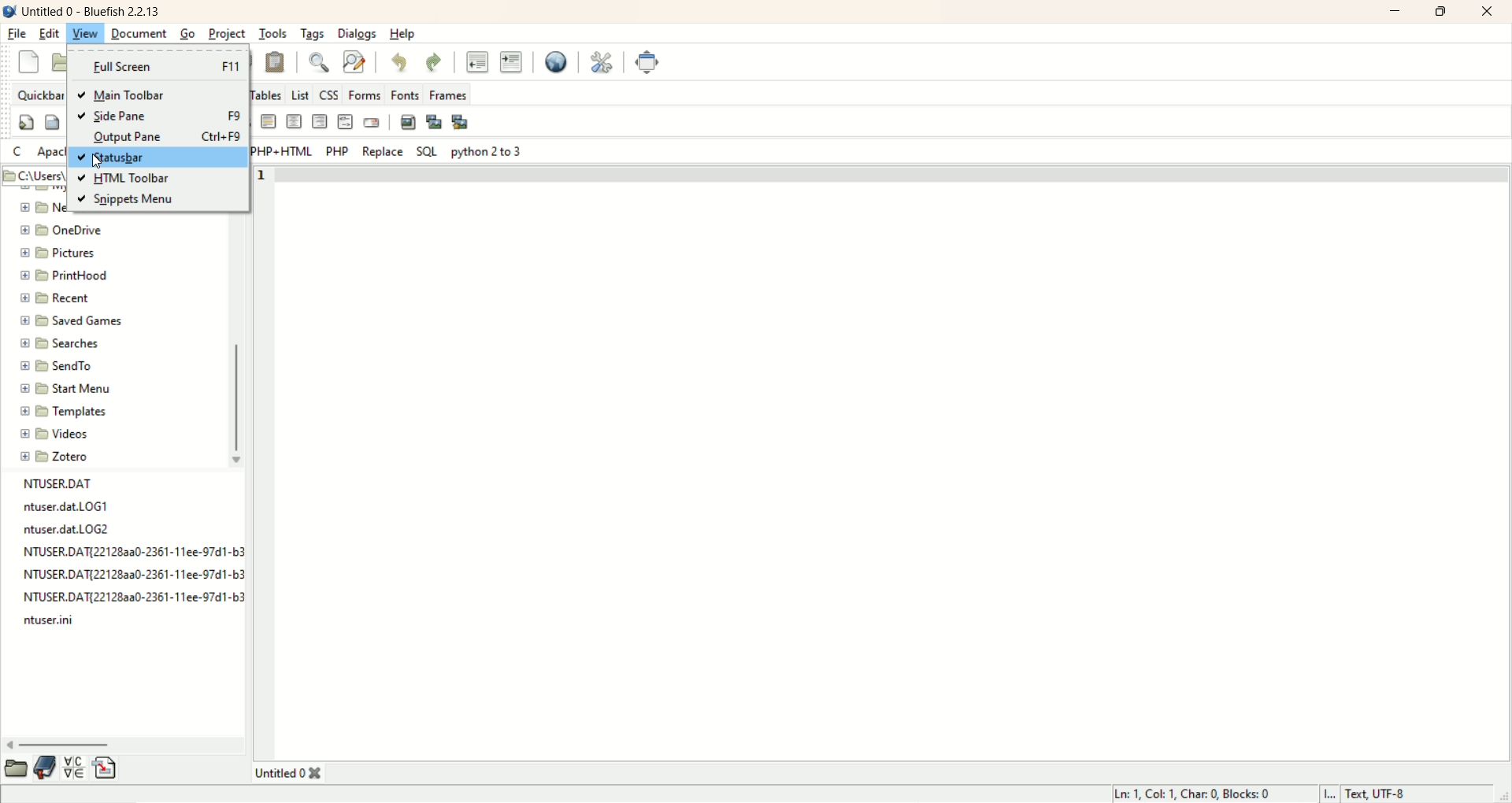 The height and width of the screenshot is (803, 1512). Describe the element at coordinates (130, 179) in the screenshot. I see `HTML Toolbar` at that location.